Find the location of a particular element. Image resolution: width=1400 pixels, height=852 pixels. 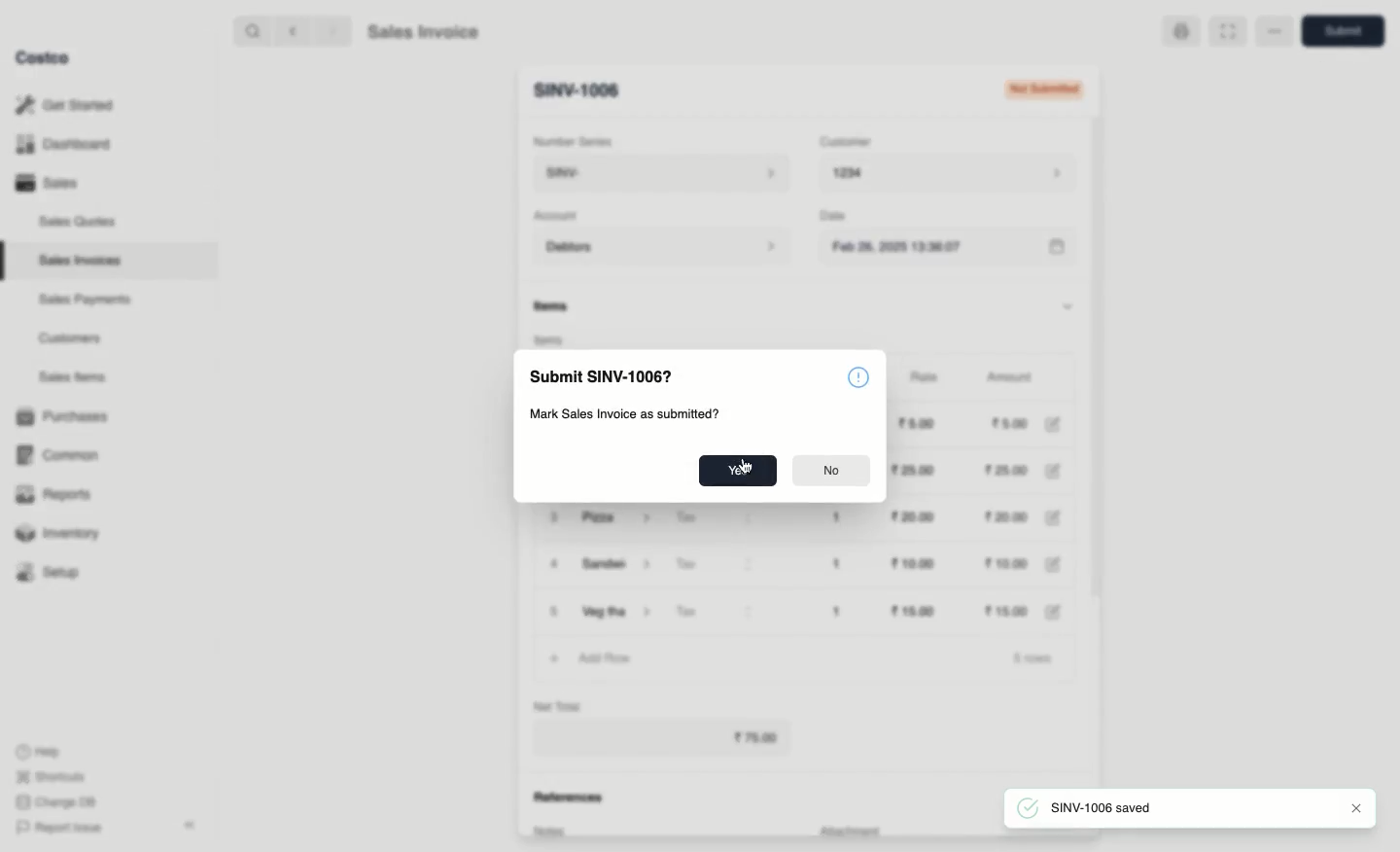

cursor is located at coordinates (743, 465).